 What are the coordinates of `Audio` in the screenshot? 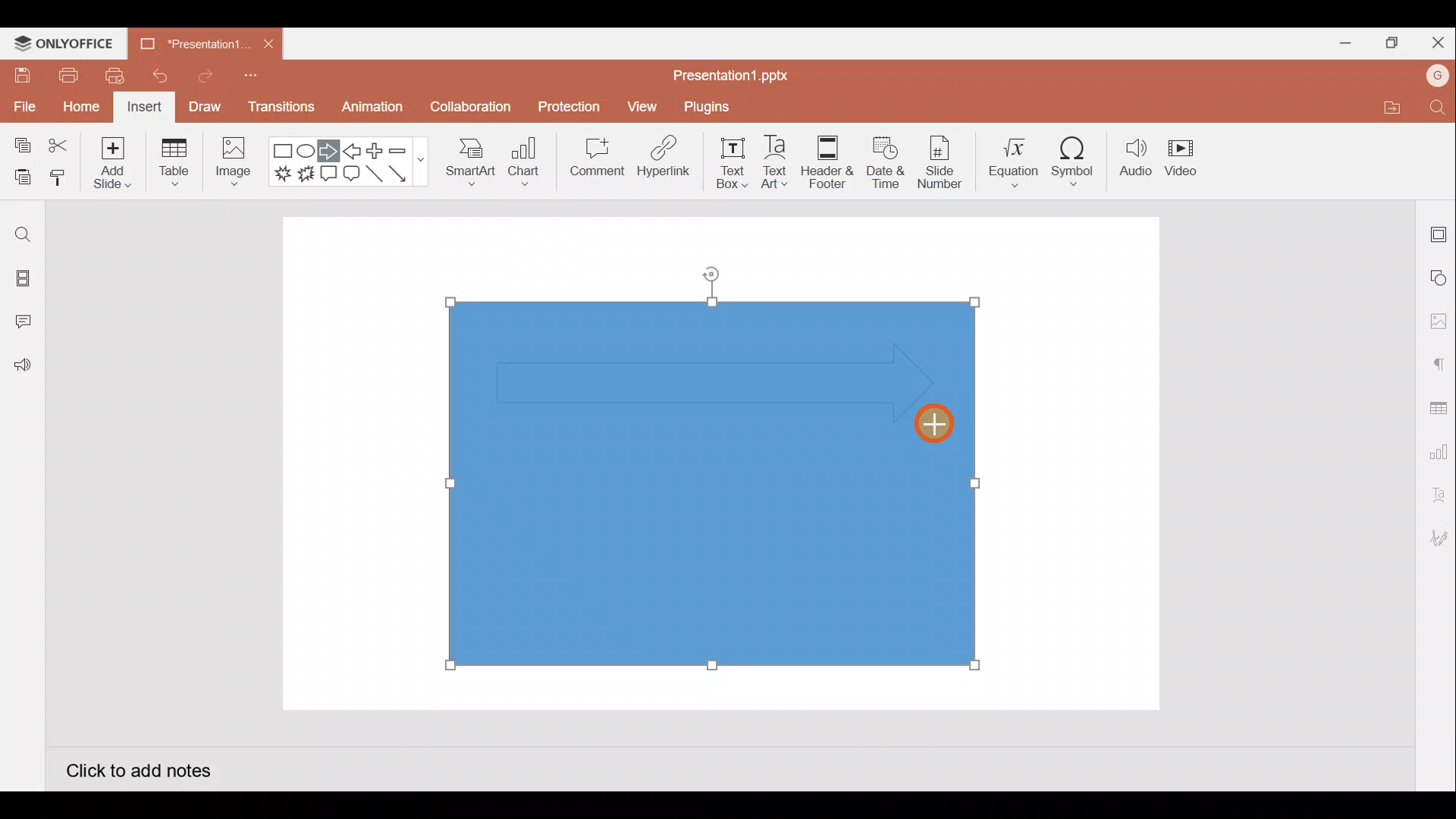 It's located at (1136, 158).